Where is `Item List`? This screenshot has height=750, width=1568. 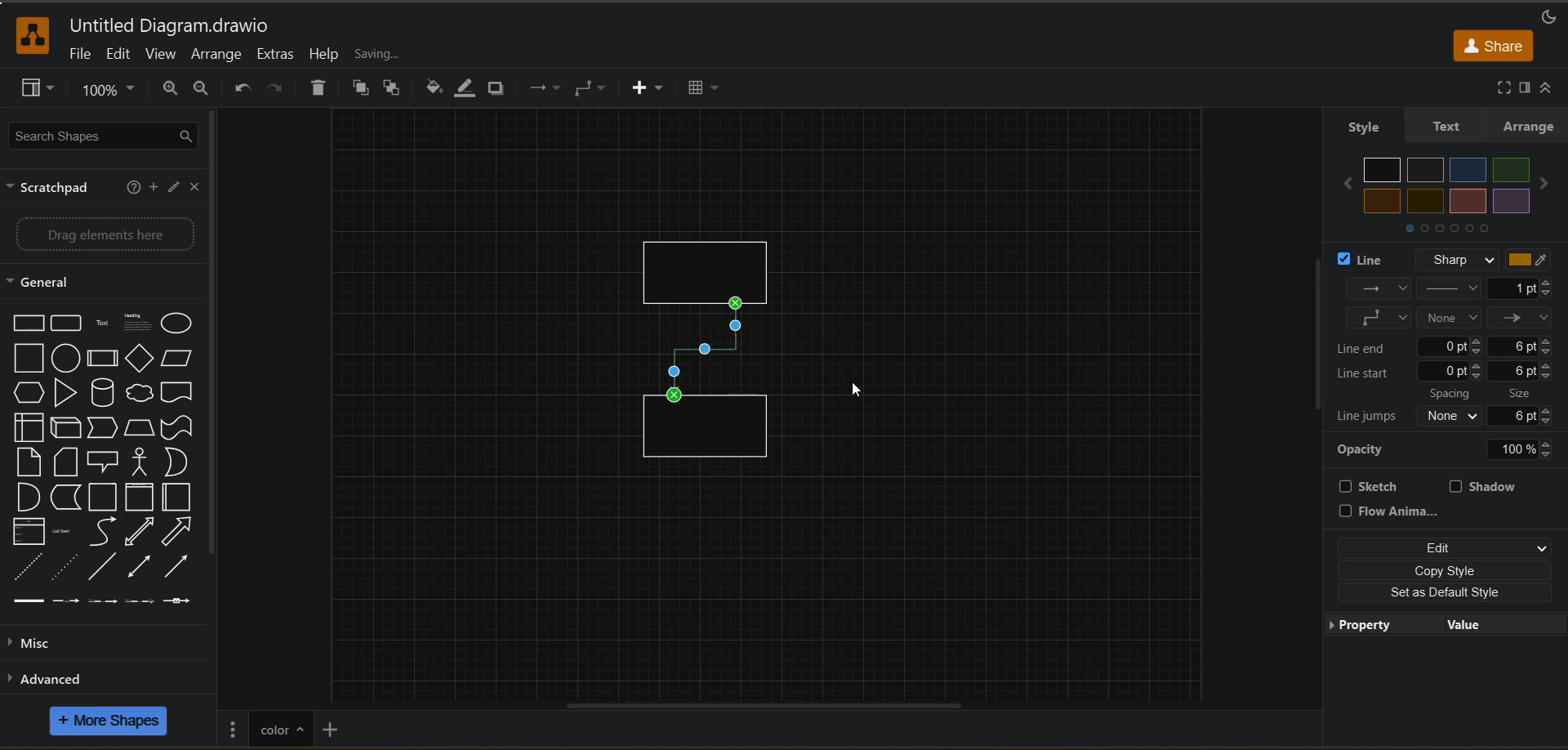
Item List is located at coordinates (69, 532).